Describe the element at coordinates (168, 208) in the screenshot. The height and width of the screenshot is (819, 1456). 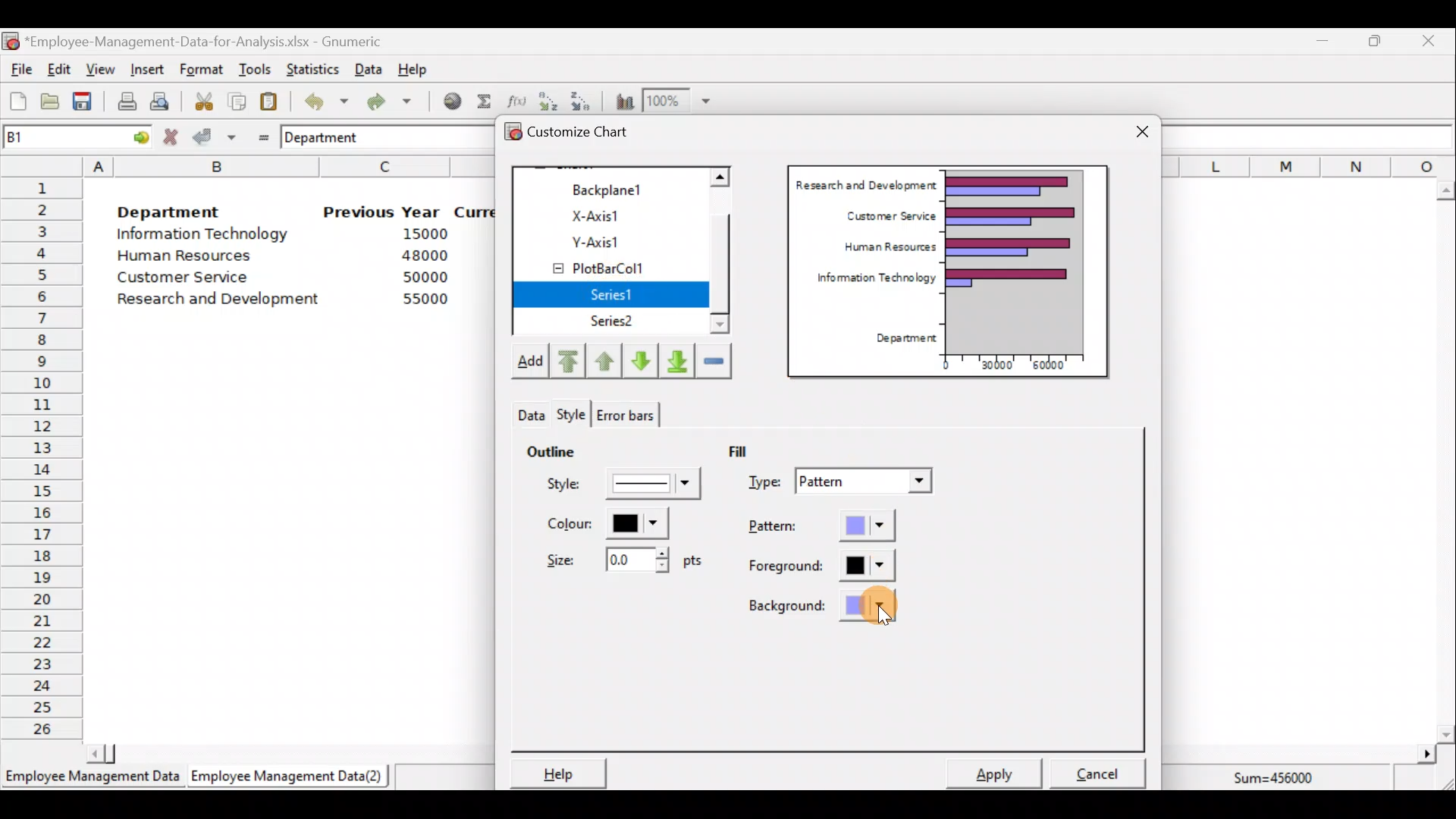
I see `Department` at that location.